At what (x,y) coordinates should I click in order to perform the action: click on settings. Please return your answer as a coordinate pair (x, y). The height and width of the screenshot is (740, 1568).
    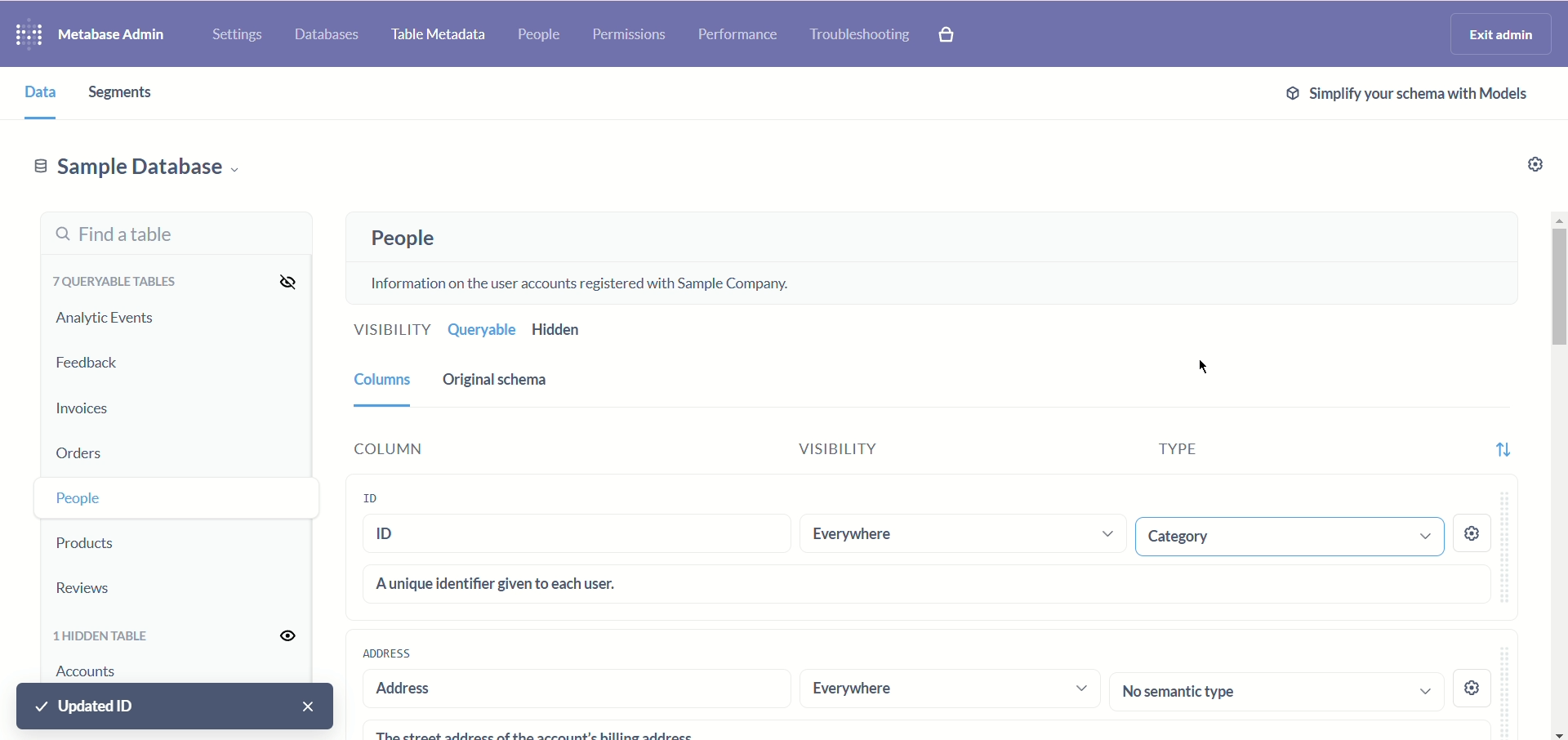
    Looking at the image, I should click on (1530, 167).